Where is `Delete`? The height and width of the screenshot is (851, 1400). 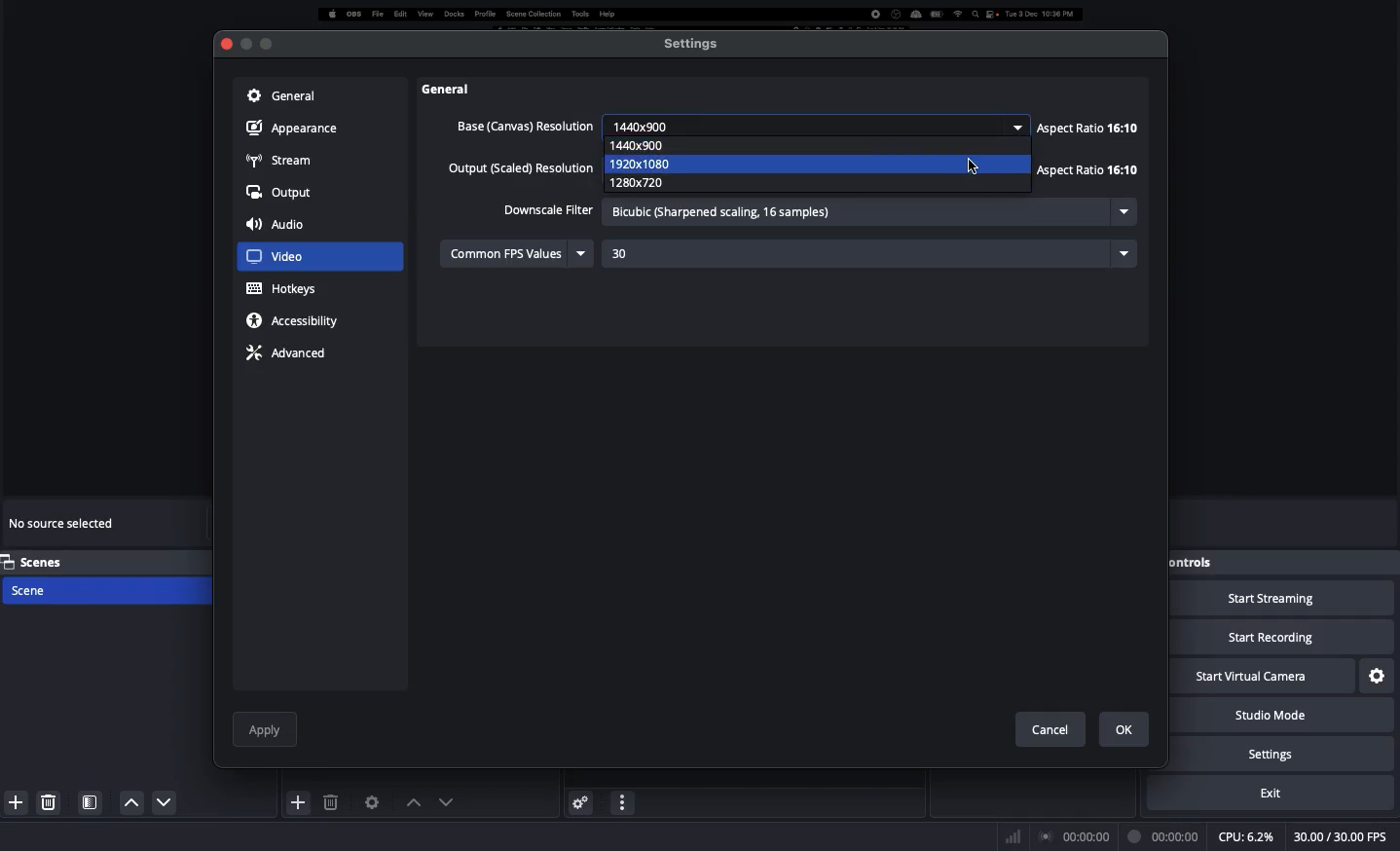 Delete is located at coordinates (333, 802).